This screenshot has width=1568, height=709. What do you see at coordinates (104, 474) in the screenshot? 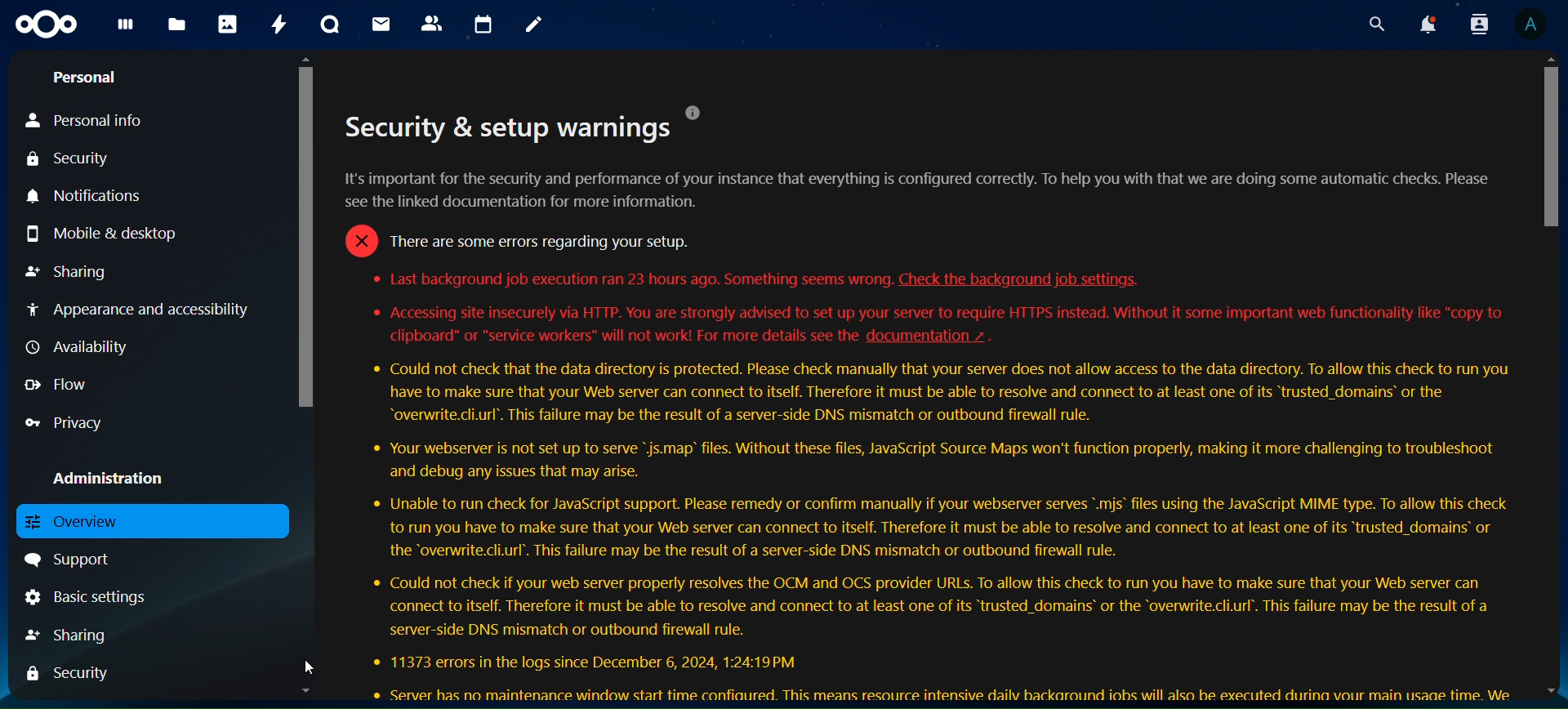
I see `admininstration` at bounding box center [104, 474].